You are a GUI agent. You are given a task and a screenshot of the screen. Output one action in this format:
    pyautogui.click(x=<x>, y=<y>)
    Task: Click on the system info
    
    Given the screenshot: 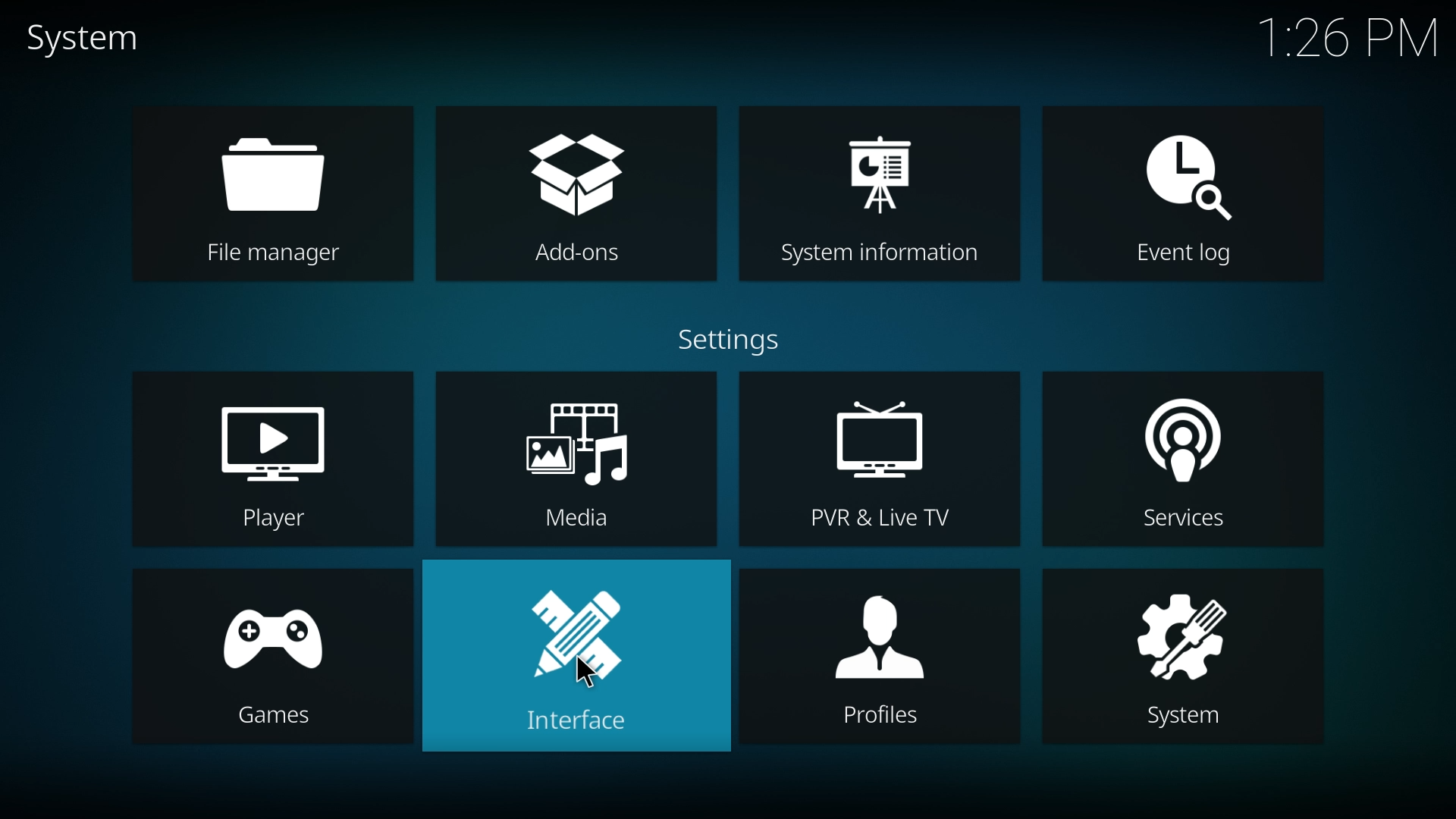 What is the action you would take?
    pyautogui.click(x=879, y=196)
    